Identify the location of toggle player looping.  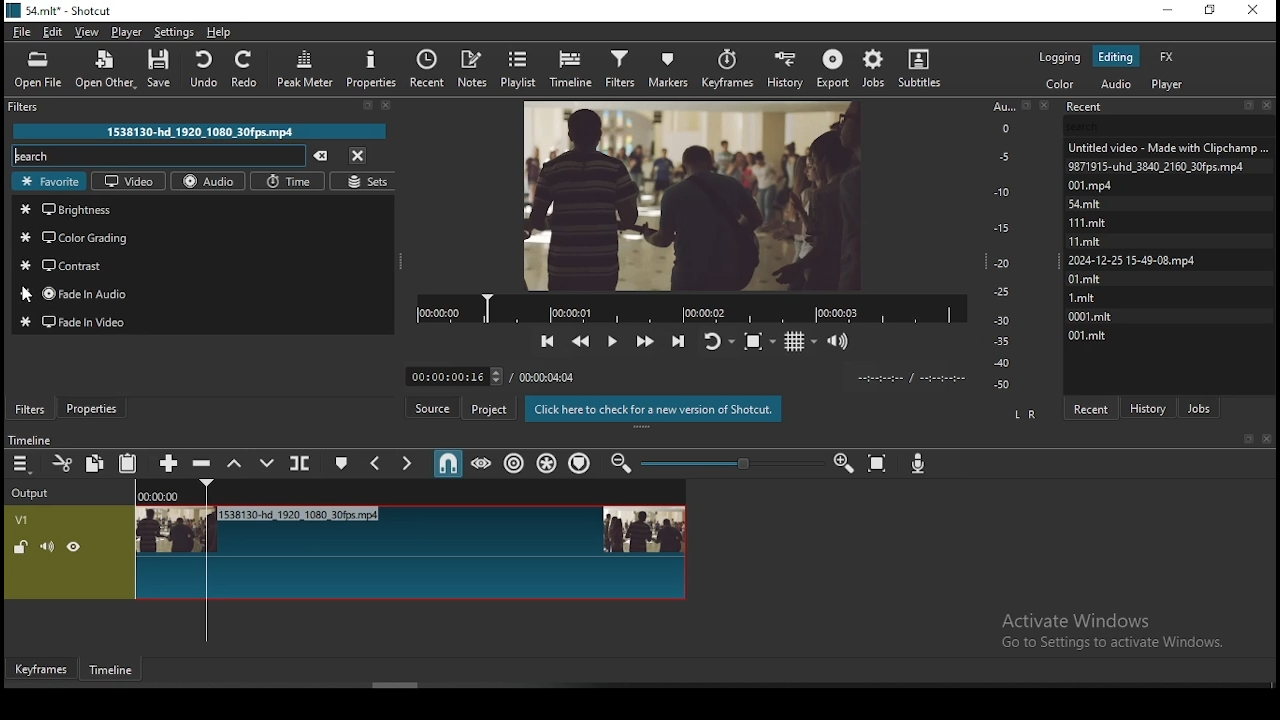
(718, 340).